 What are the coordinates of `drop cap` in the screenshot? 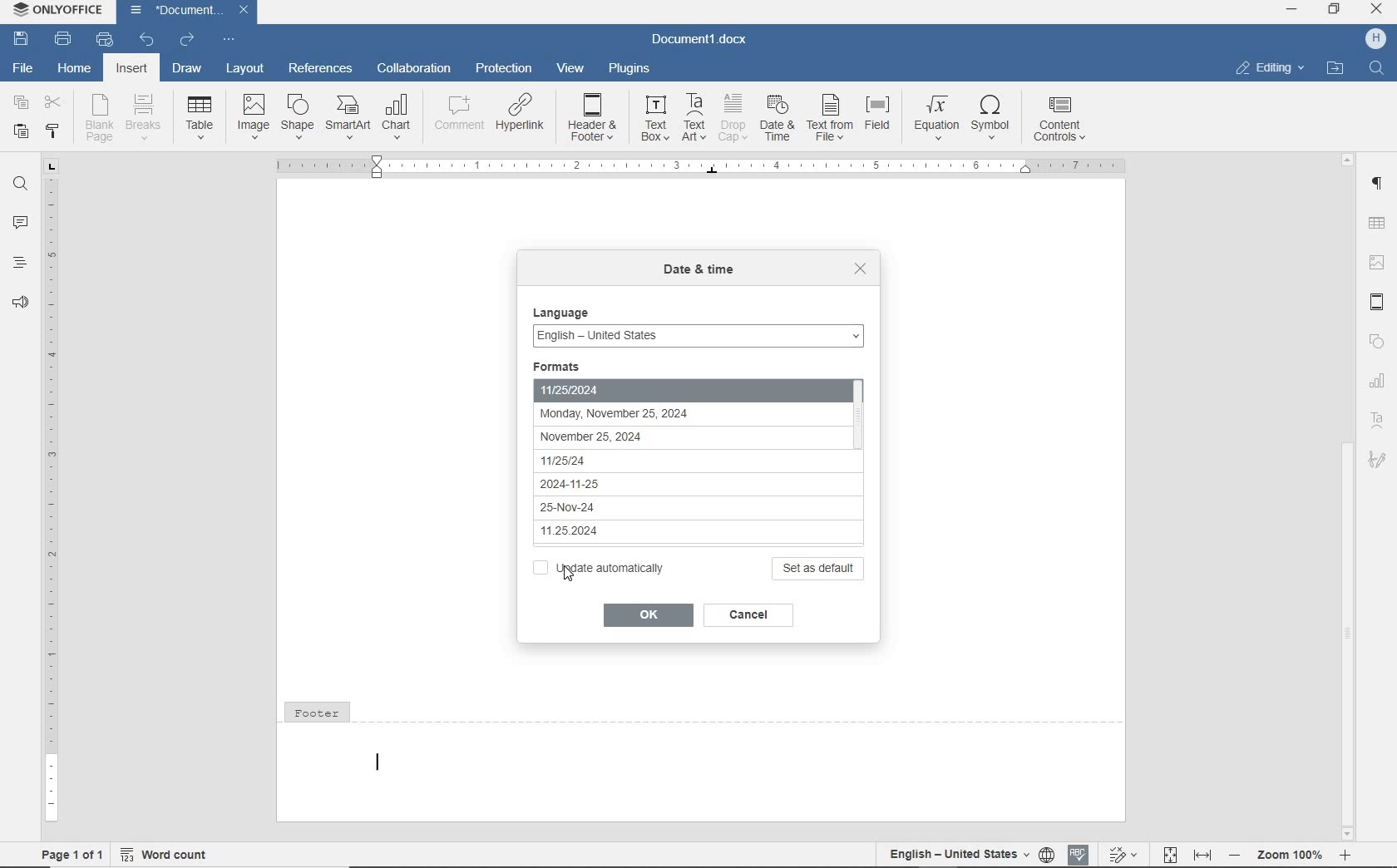 It's located at (733, 117).